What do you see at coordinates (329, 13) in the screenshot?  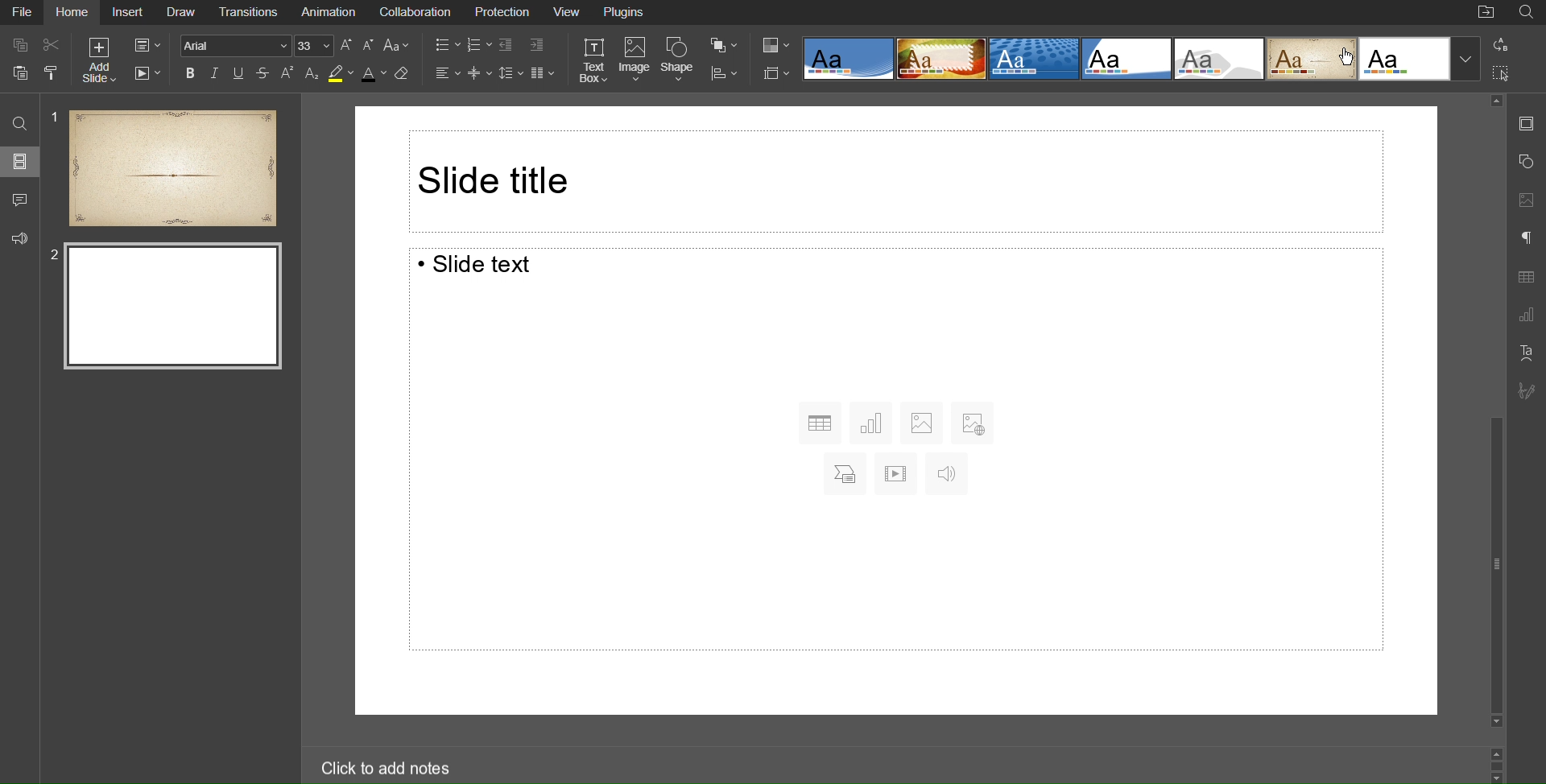 I see `Animation` at bounding box center [329, 13].